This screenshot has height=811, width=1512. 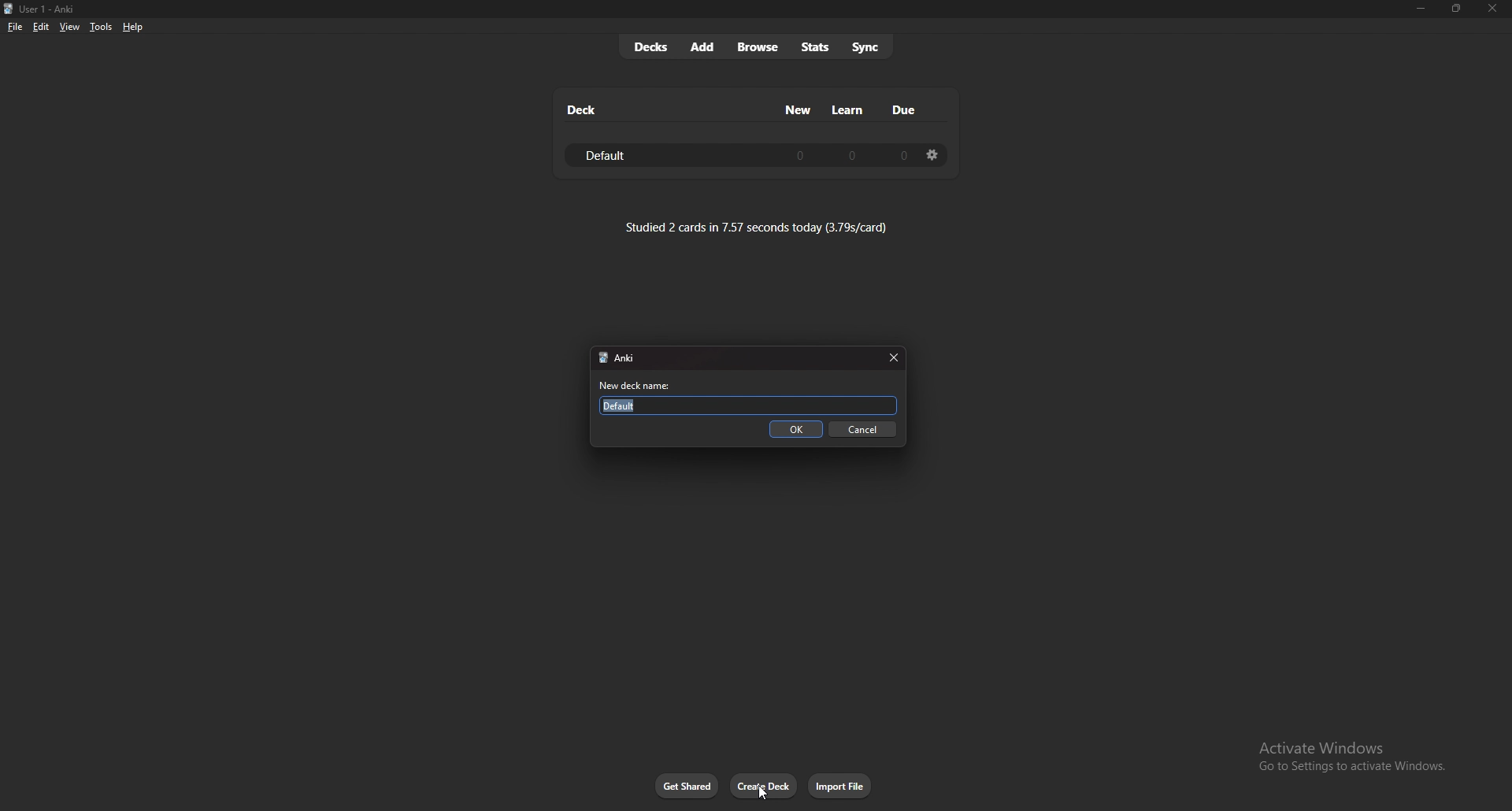 What do you see at coordinates (757, 227) in the screenshot?
I see `studied 2 cards in 7.57 seconds today (3.79s/card)` at bounding box center [757, 227].